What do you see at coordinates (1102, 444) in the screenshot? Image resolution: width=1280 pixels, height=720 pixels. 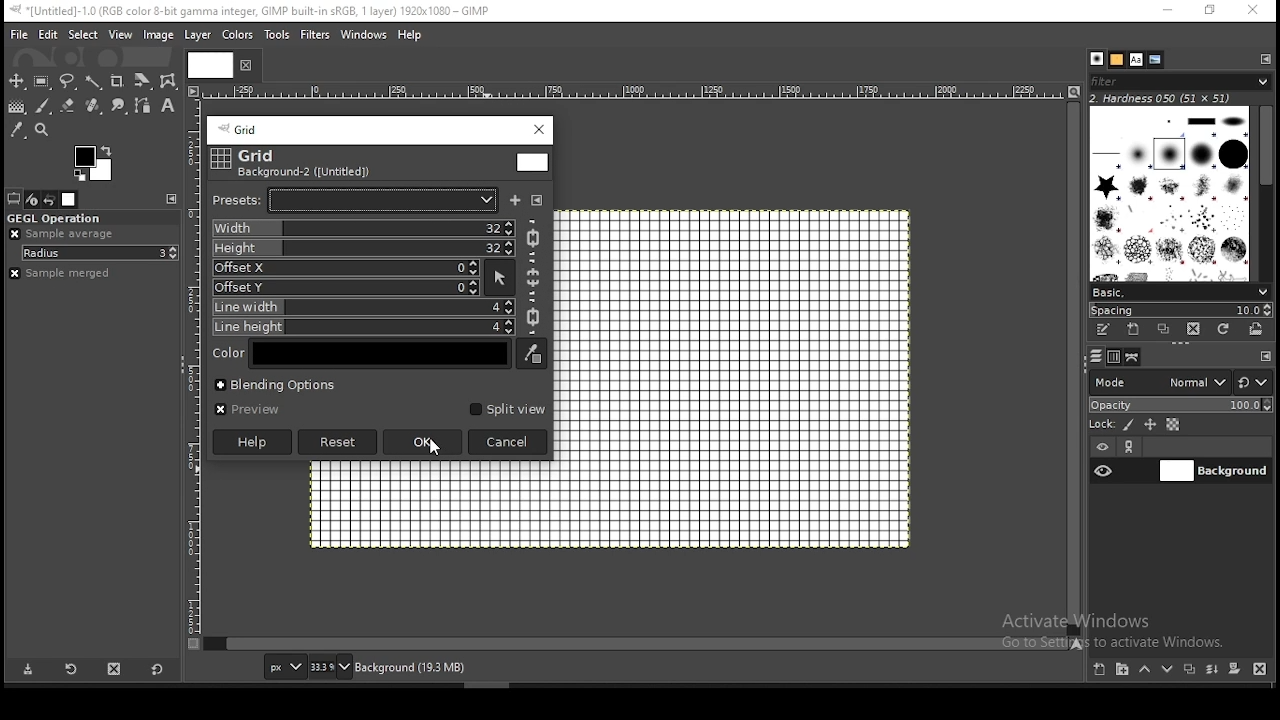 I see `layer visibility` at bounding box center [1102, 444].